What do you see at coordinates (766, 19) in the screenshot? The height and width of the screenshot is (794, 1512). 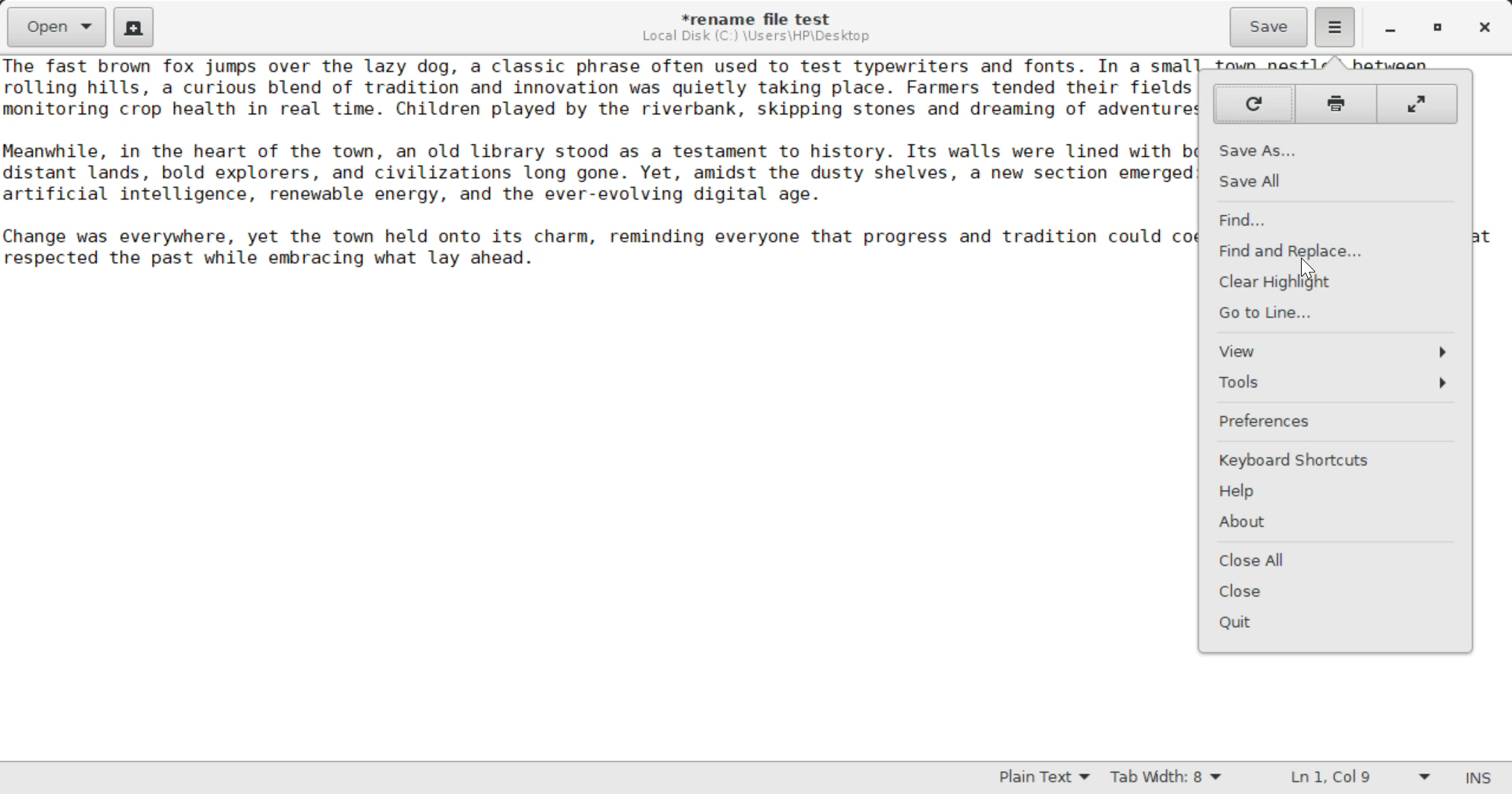 I see `*rename file test` at bounding box center [766, 19].